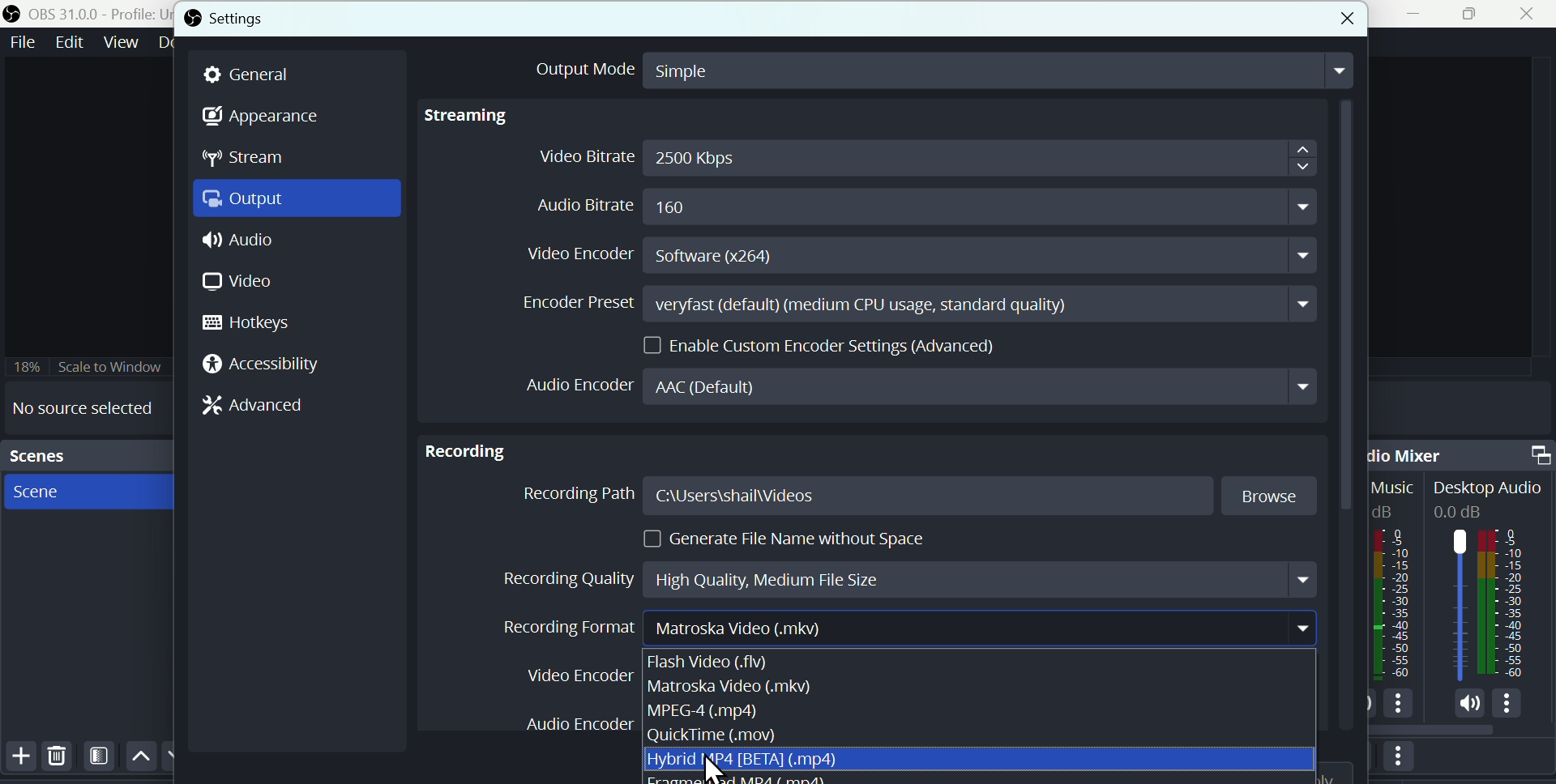  Describe the element at coordinates (1460, 607) in the screenshot. I see `Audiobar` at that location.